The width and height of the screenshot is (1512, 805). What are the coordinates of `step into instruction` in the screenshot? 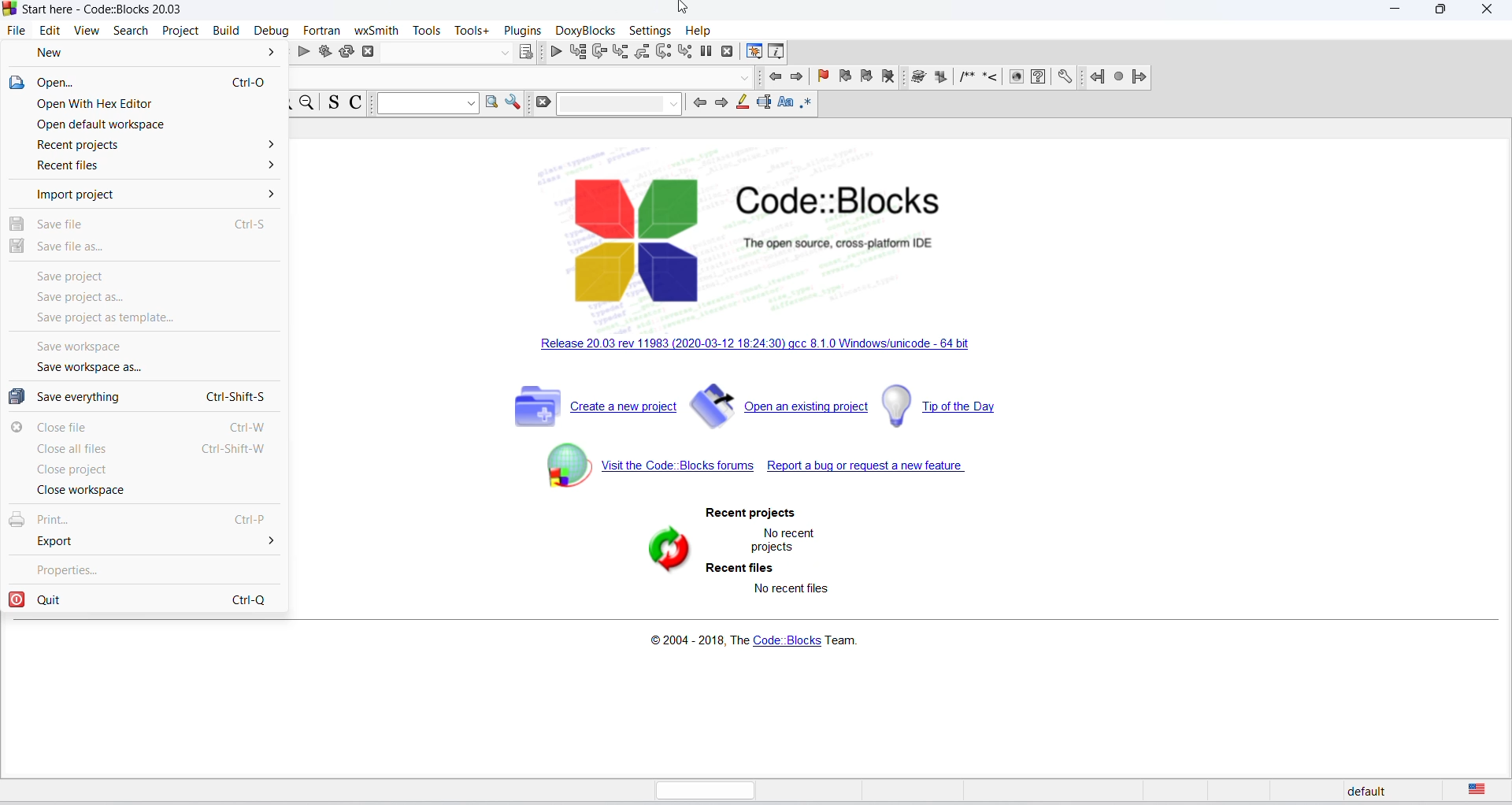 It's located at (684, 52).